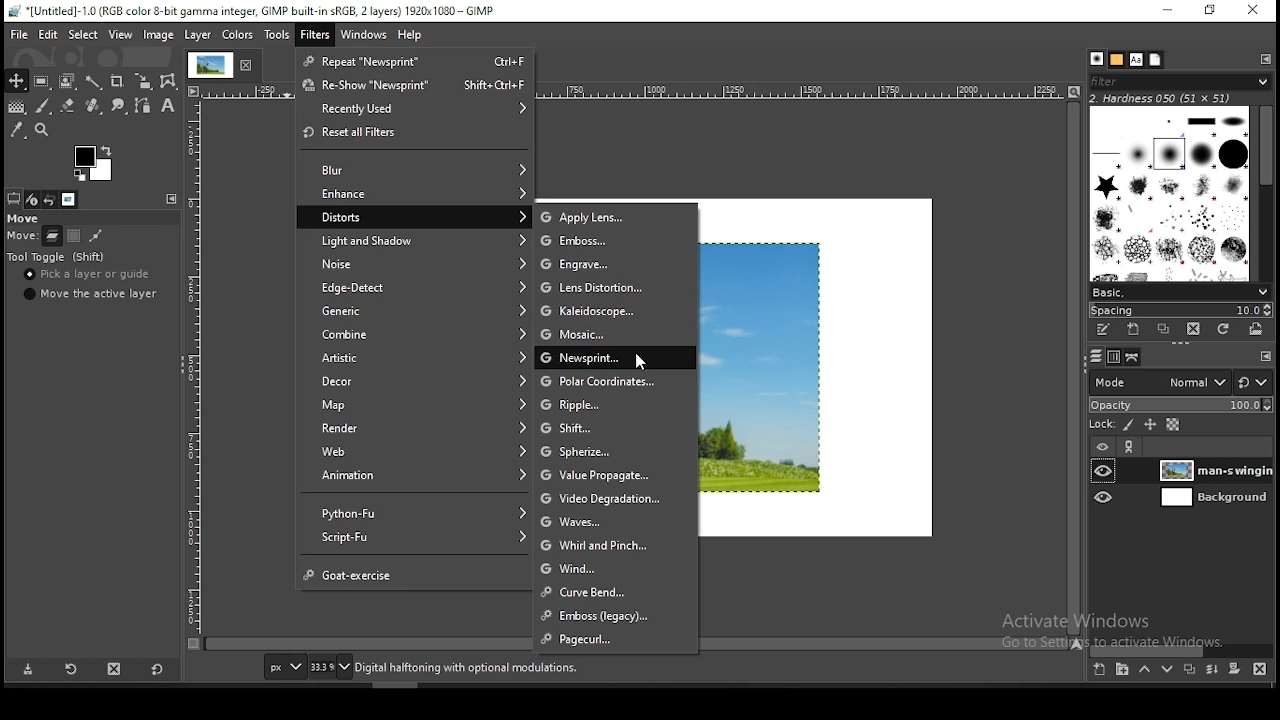  I want to click on newsprint, so click(612, 357).